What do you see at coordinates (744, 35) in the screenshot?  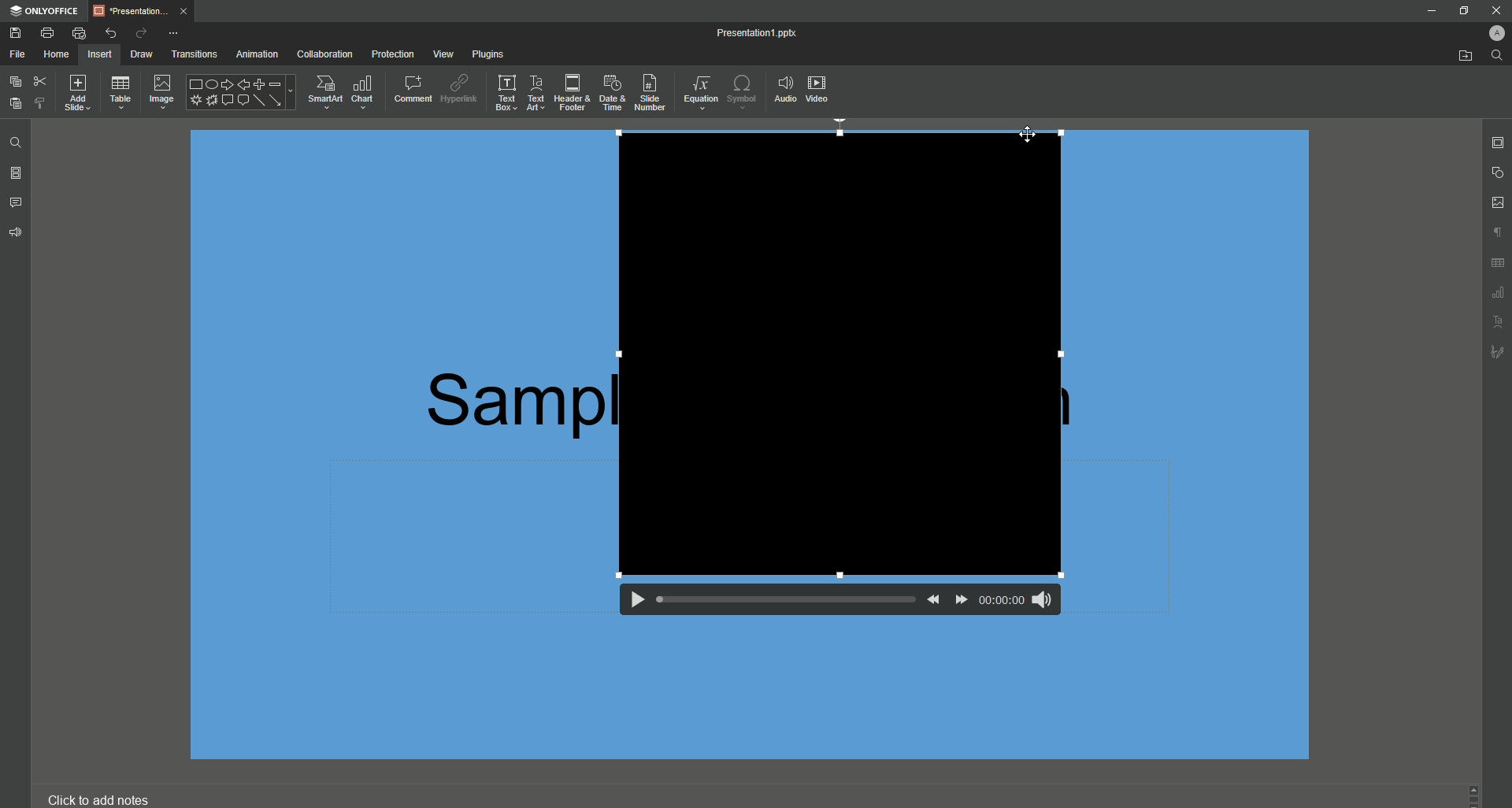 I see `Presentation1` at bounding box center [744, 35].